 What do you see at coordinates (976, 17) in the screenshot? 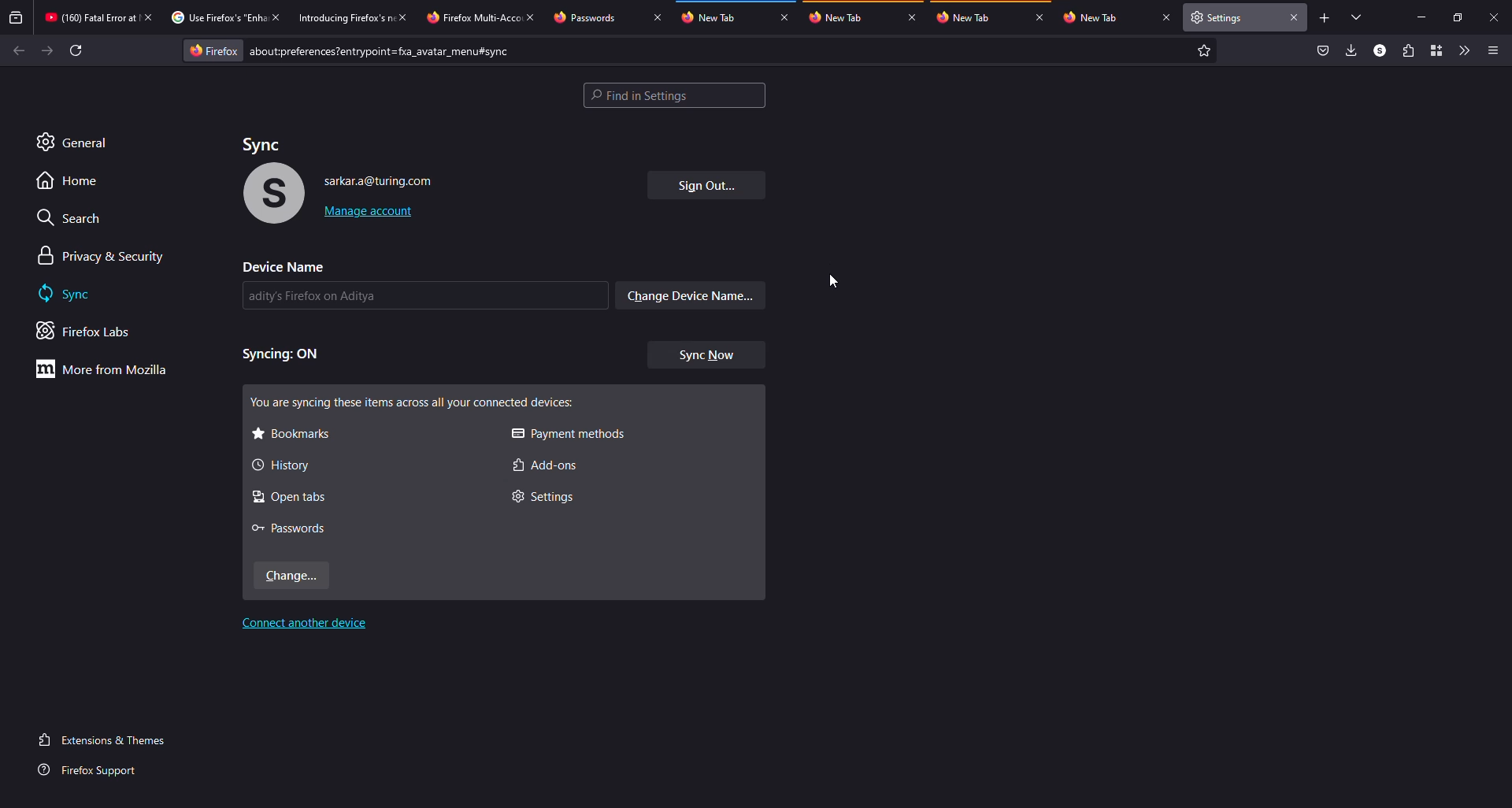
I see `tab` at bounding box center [976, 17].